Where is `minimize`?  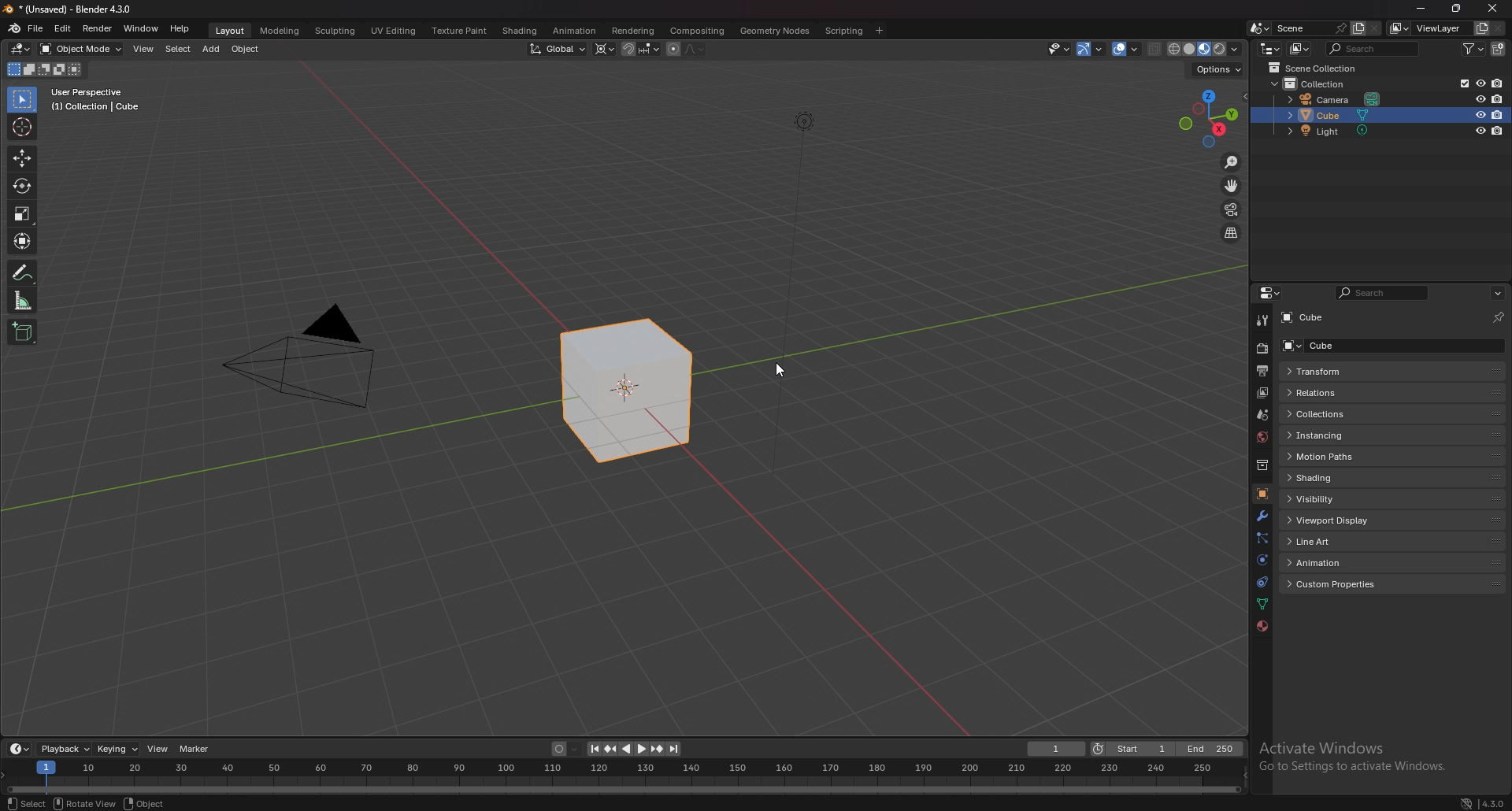
minimize is located at coordinates (1425, 9).